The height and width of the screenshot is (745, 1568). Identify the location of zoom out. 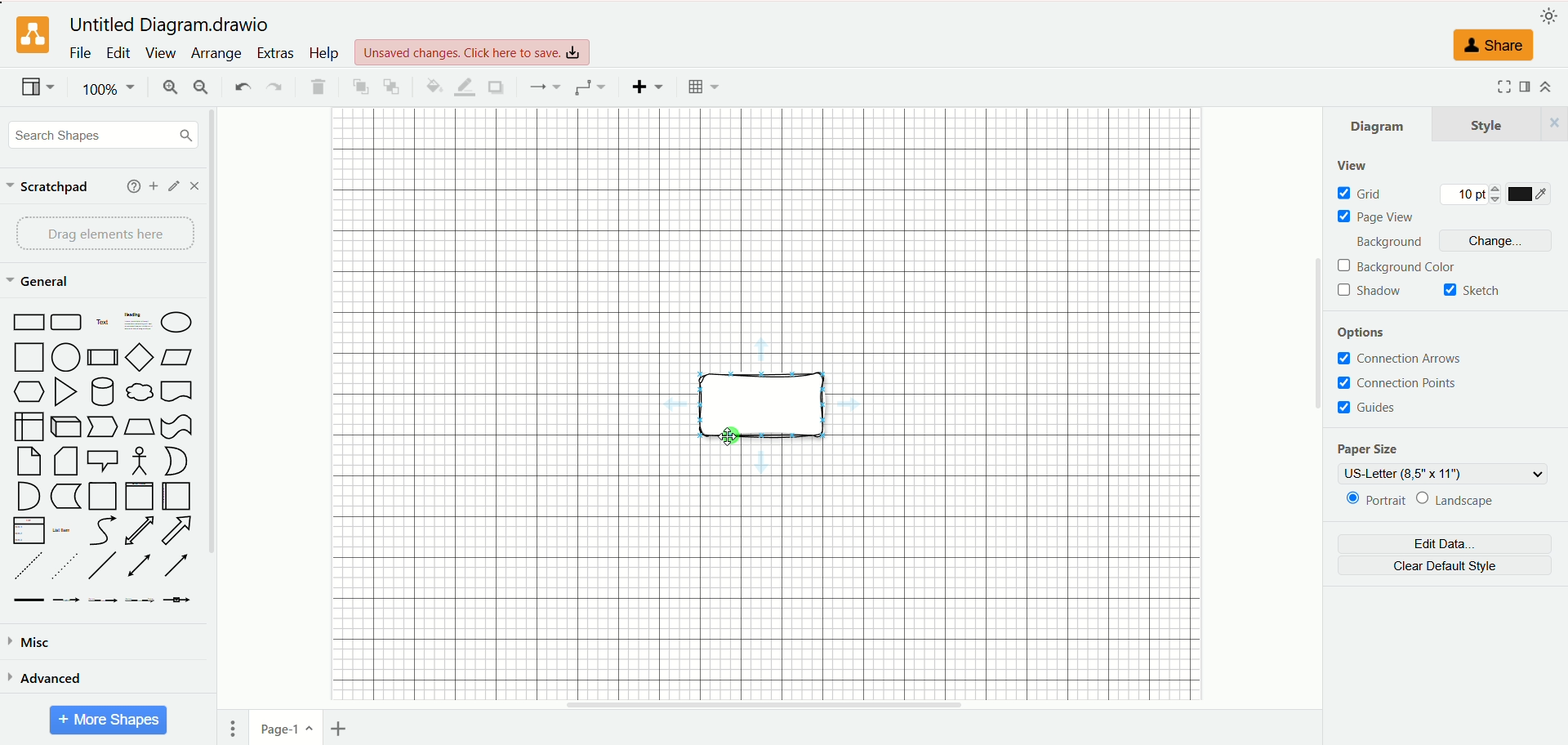
(202, 87).